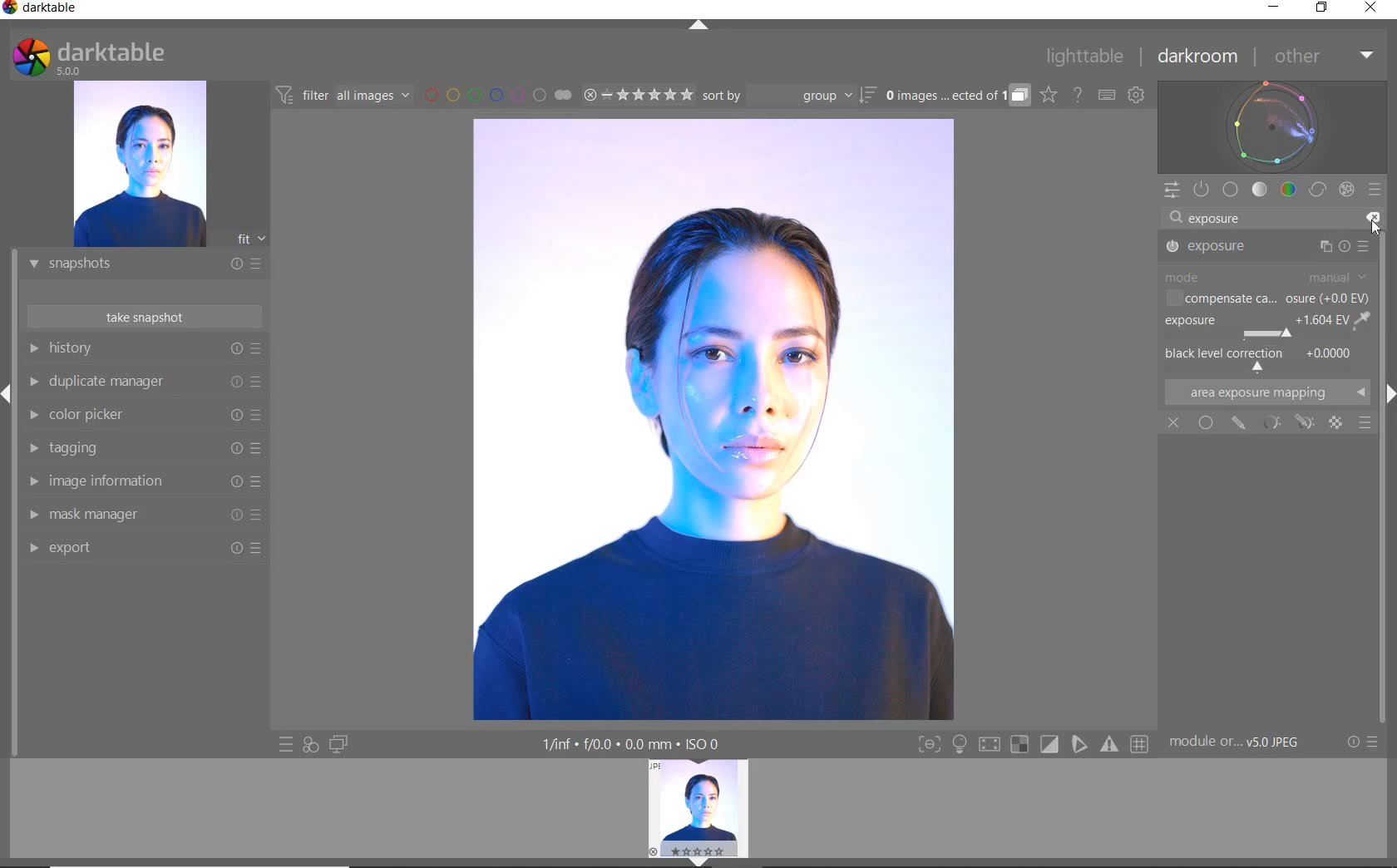  Describe the element at coordinates (628, 744) in the screenshot. I see `DISPLAYED GUI INFO` at that location.